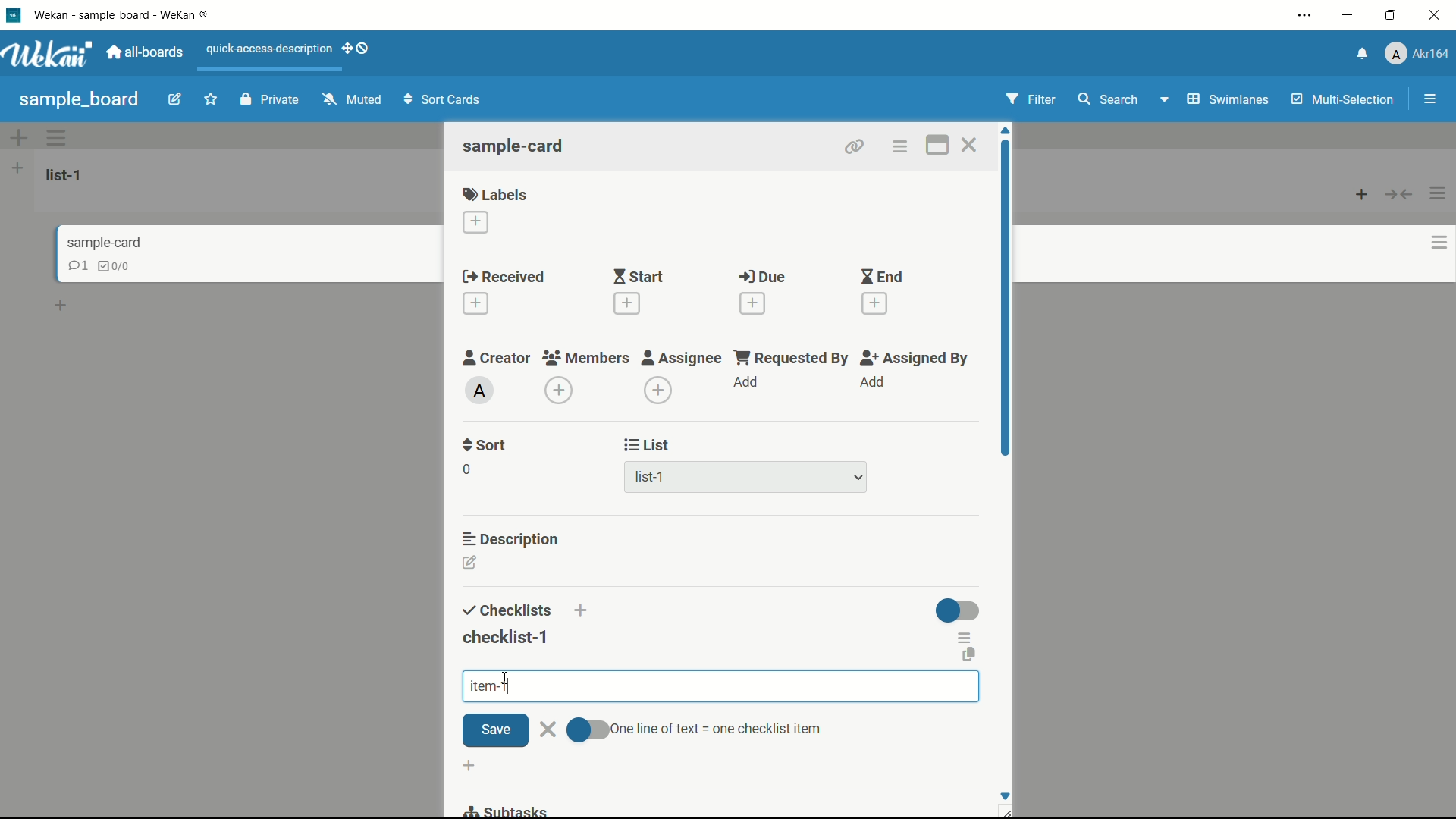 The image size is (1456, 819). Describe the element at coordinates (1006, 129) in the screenshot. I see `scroll up` at that location.